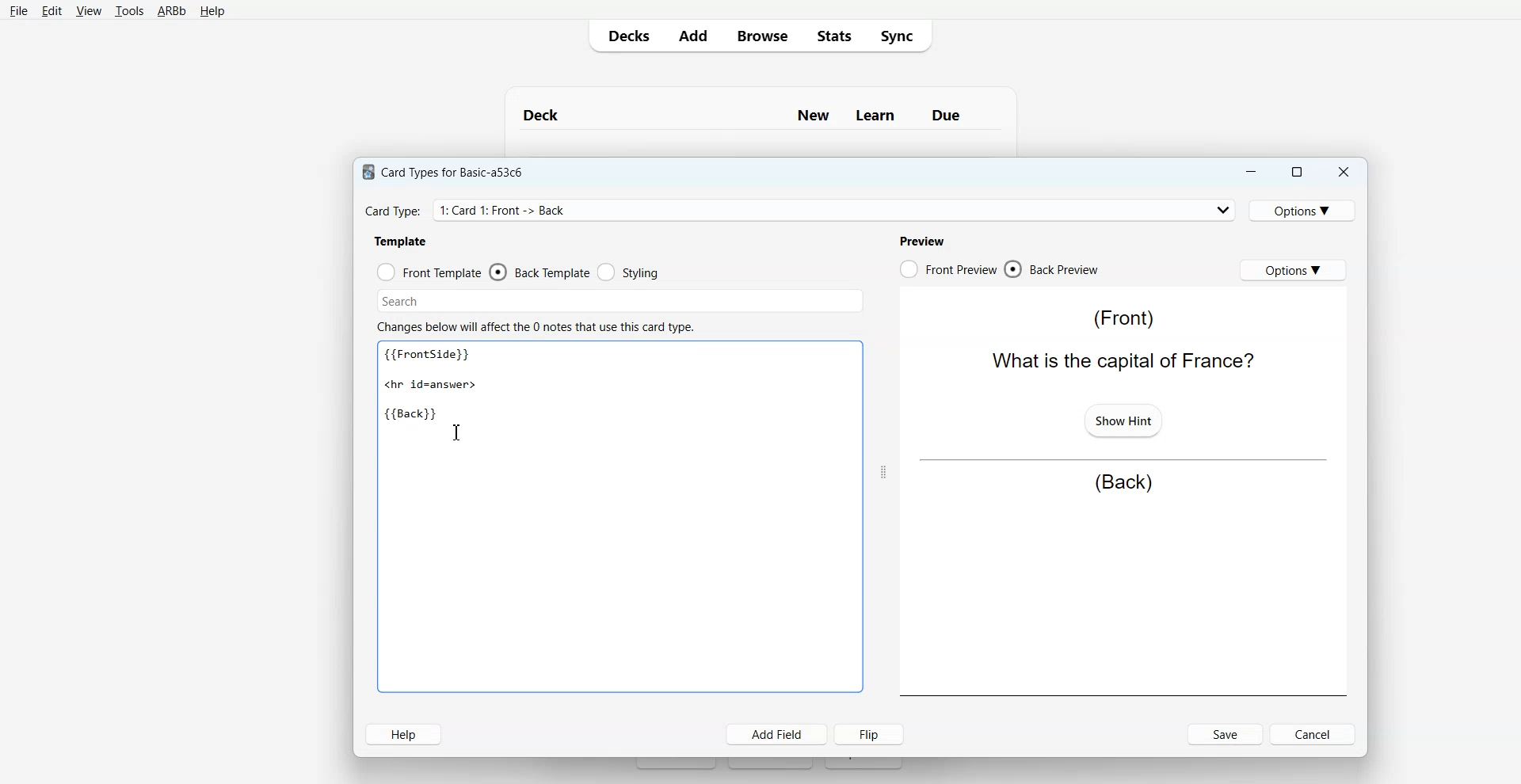 The height and width of the screenshot is (784, 1521). Describe the element at coordinates (1249, 172) in the screenshot. I see `Minimize` at that location.